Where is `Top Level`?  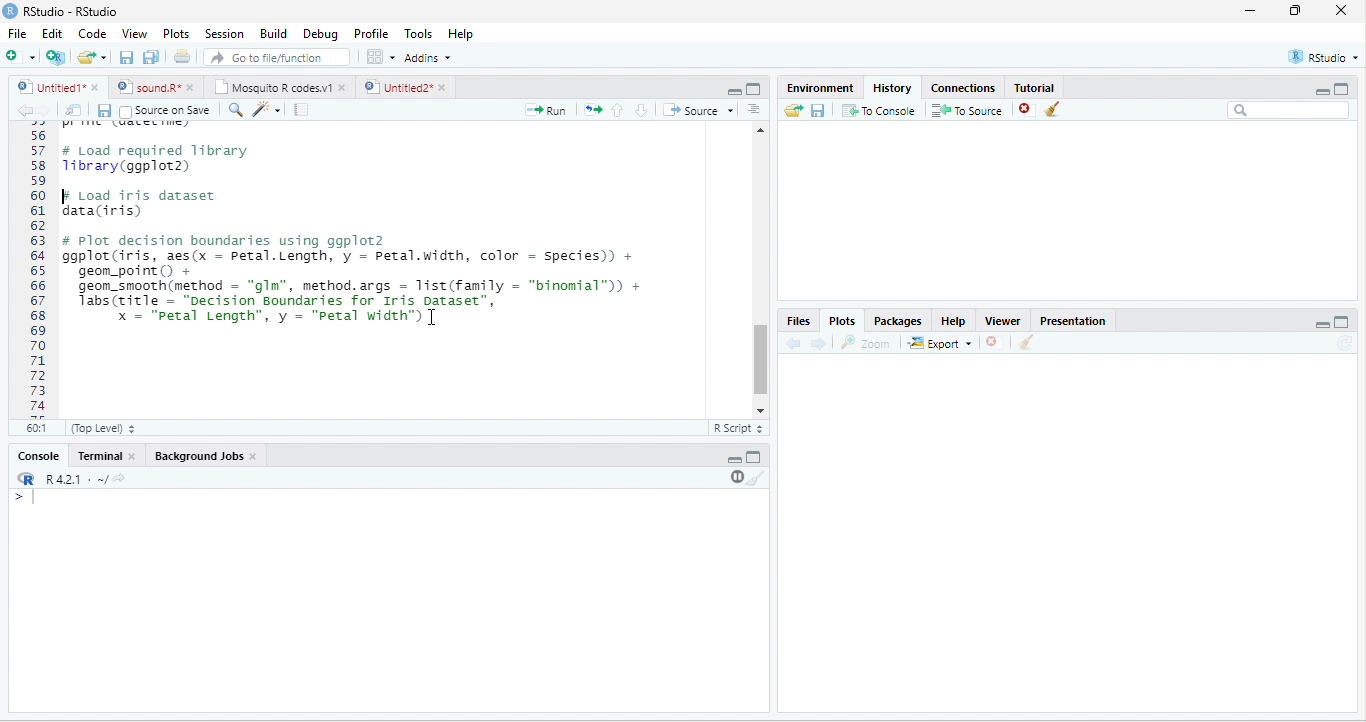 Top Level is located at coordinates (103, 429).